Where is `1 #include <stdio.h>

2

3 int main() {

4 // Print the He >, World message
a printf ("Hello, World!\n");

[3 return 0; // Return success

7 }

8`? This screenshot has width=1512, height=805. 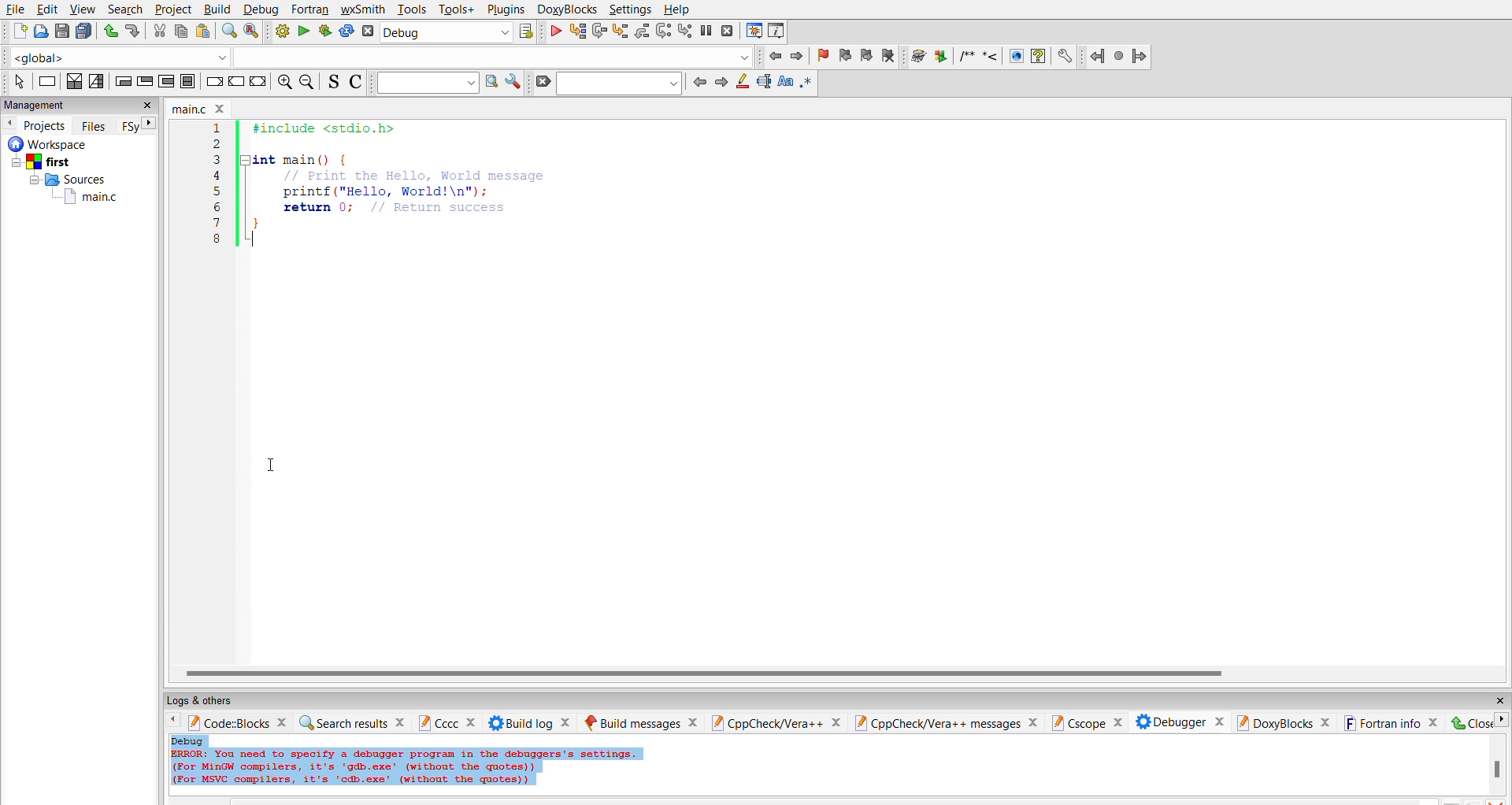 1 #include <stdio.h>

2

3 int main() {

4 // Print the He >, World message
a printf ("Hello, World!\n");

[3 return 0; // Return success

7 }

8 is located at coordinates (386, 196).